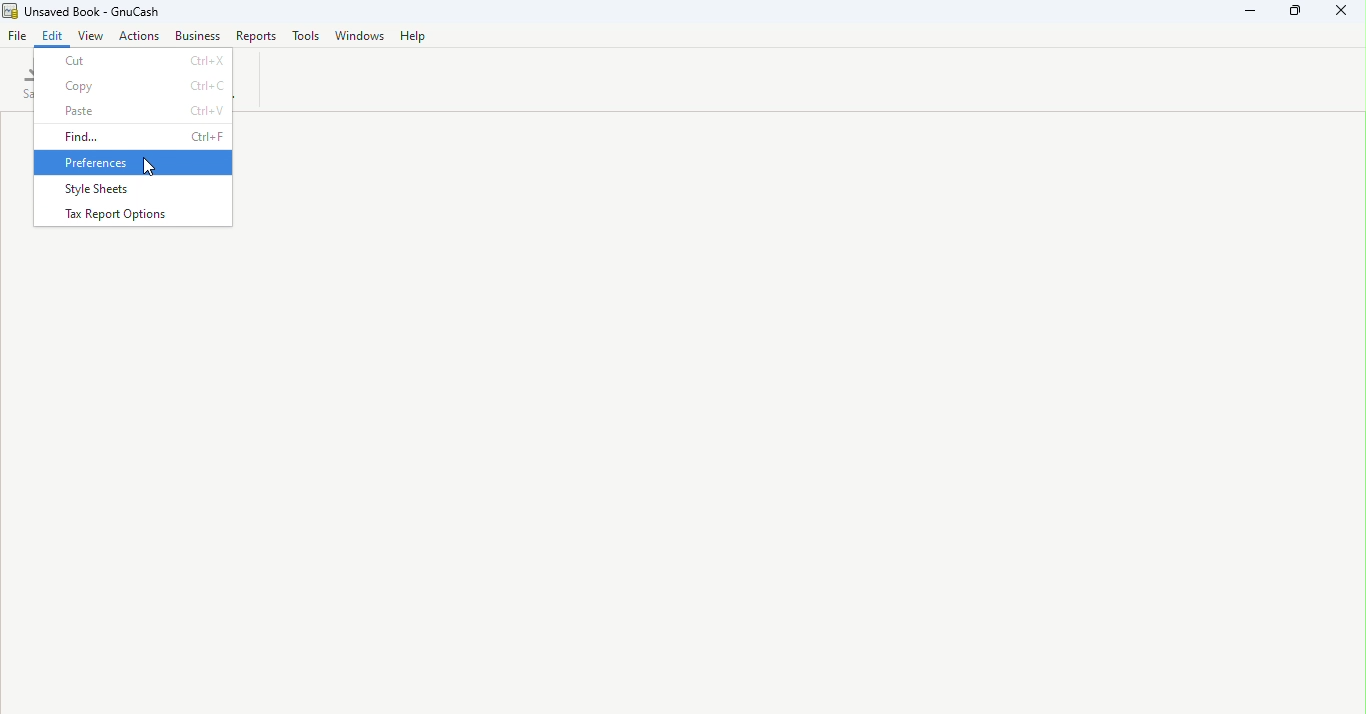  Describe the element at coordinates (306, 34) in the screenshot. I see `Tools` at that location.